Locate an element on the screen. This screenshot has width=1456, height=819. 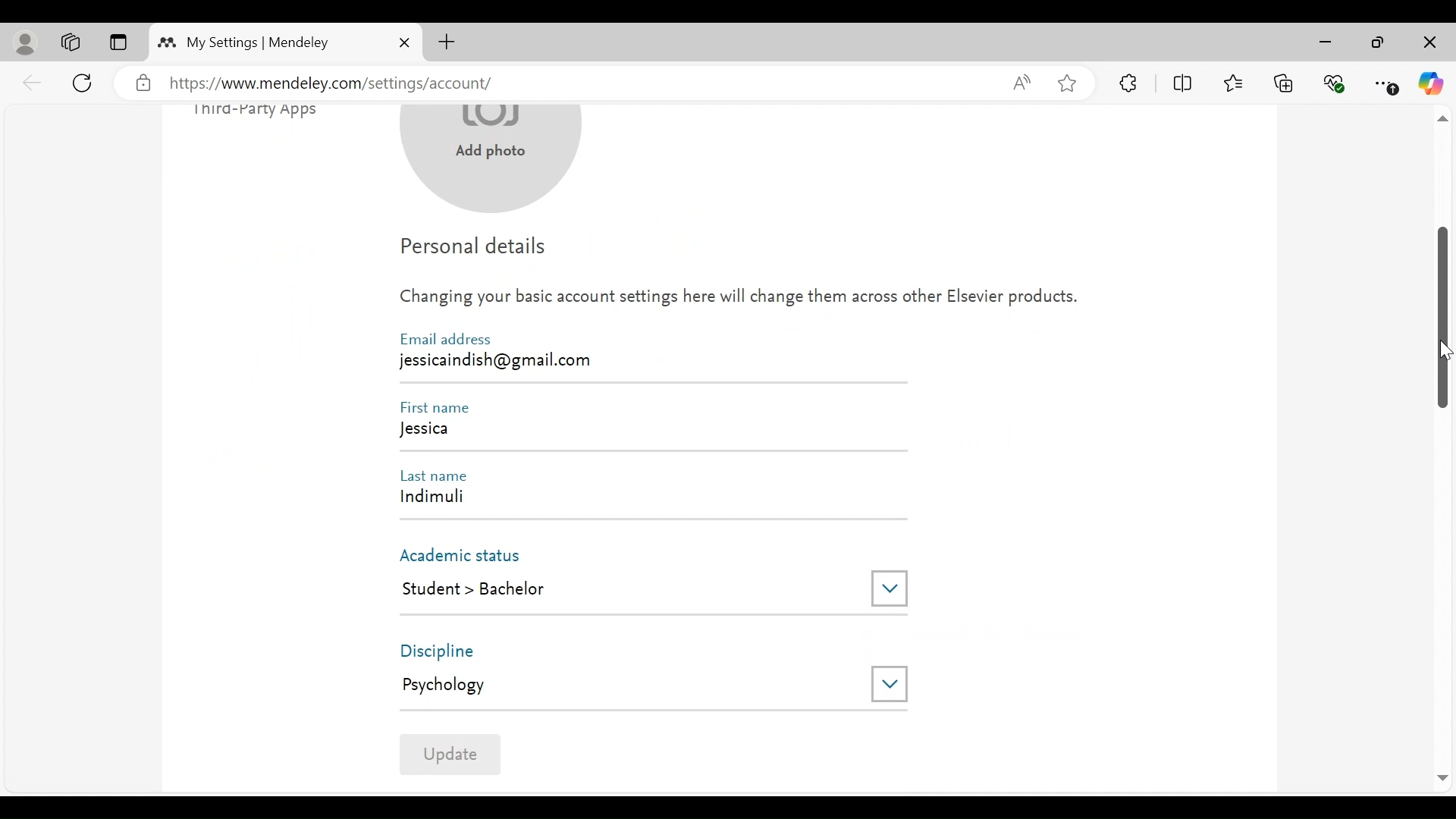
Settings and More is located at coordinates (1387, 84).